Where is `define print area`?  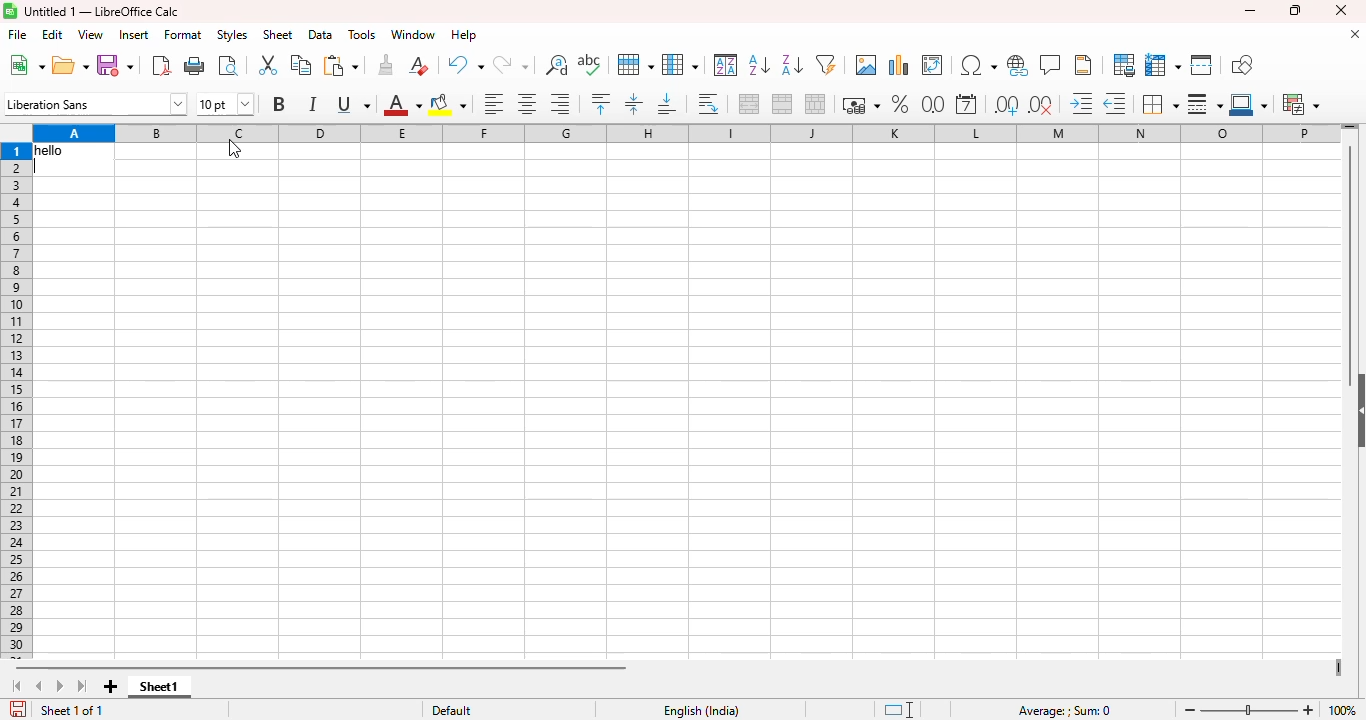 define print area is located at coordinates (1124, 65).